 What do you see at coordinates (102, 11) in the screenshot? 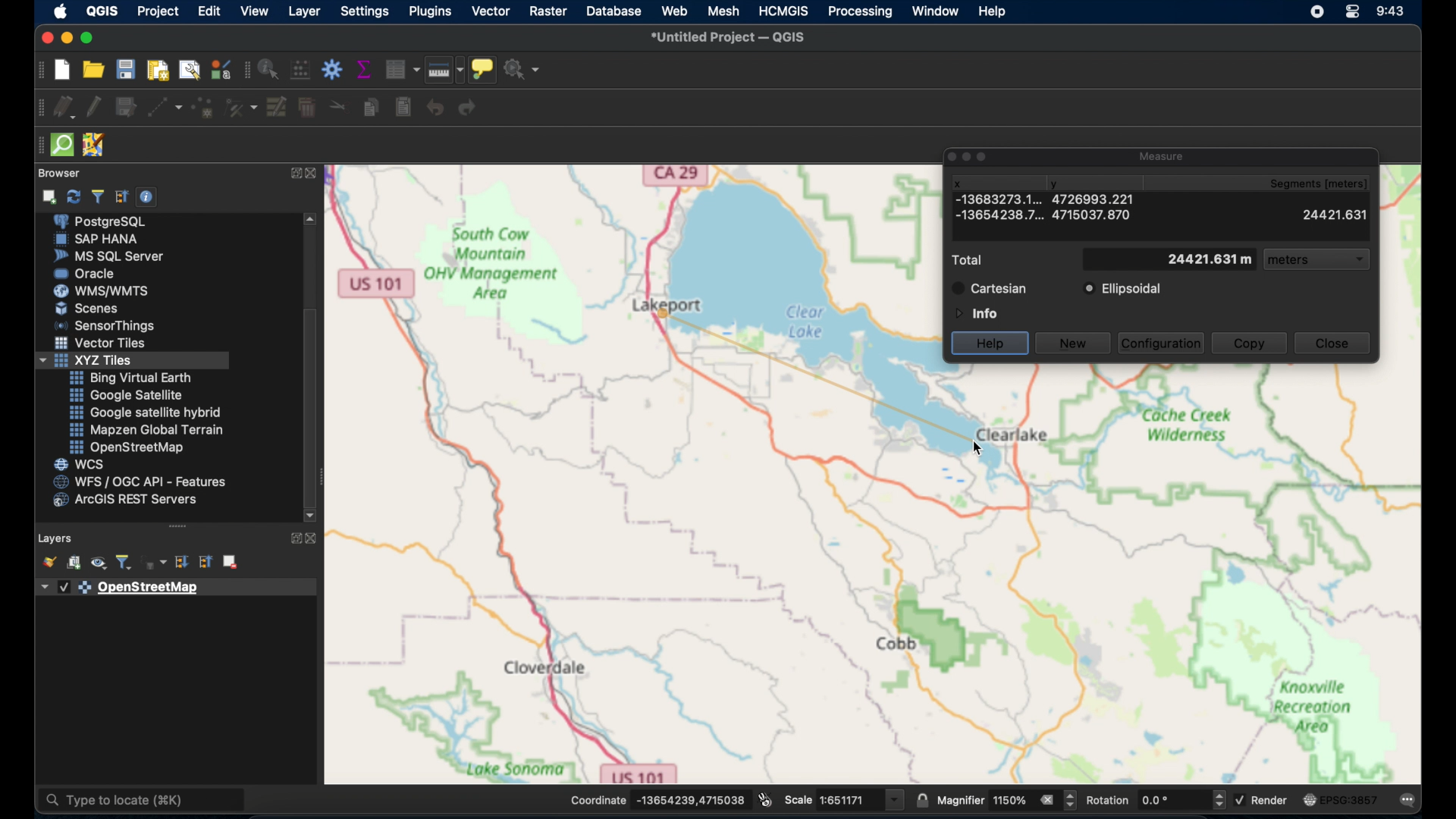
I see `QGIS` at bounding box center [102, 11].